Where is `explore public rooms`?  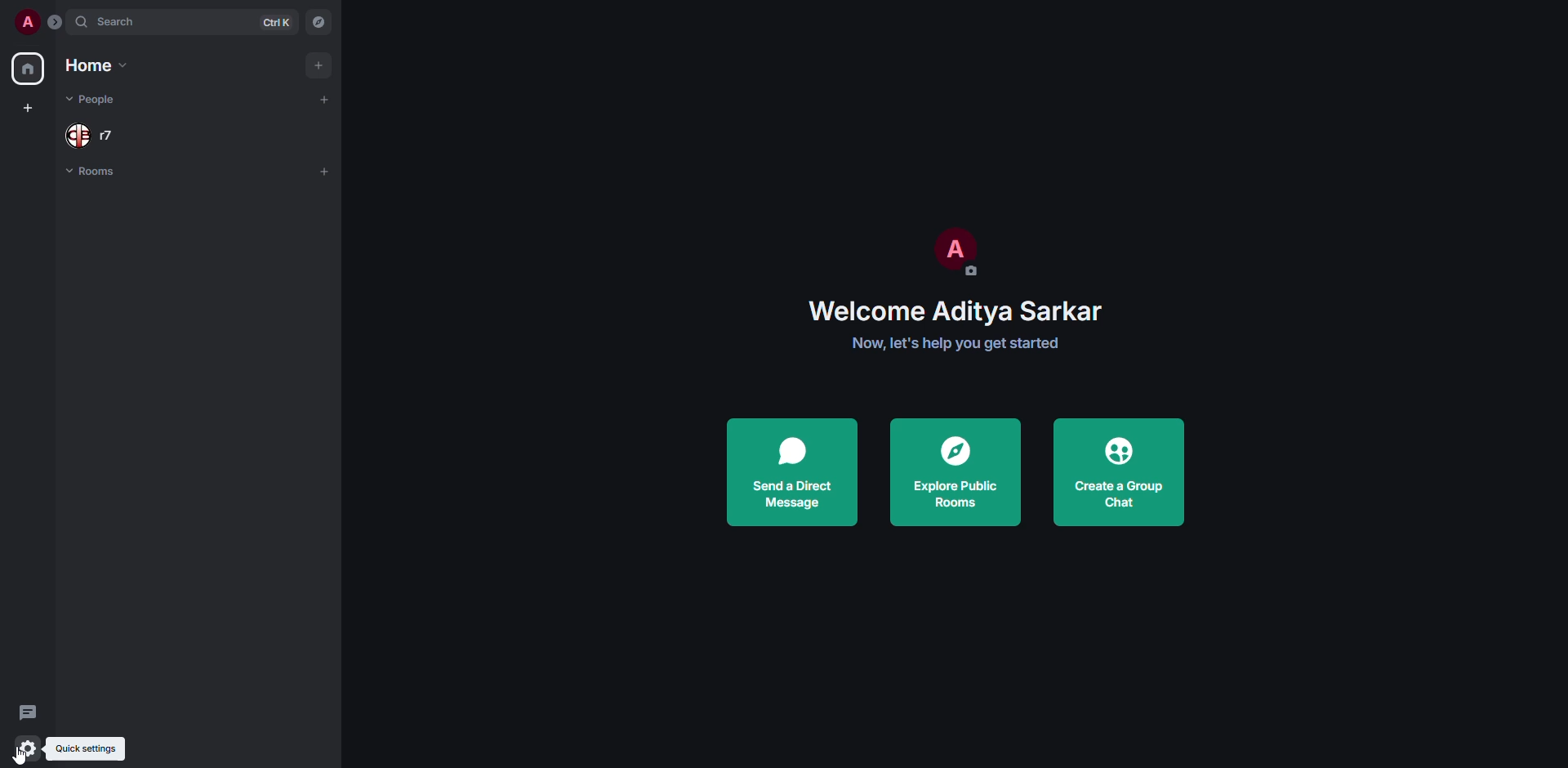 explore public rooms is located at coordinates (957, 473).